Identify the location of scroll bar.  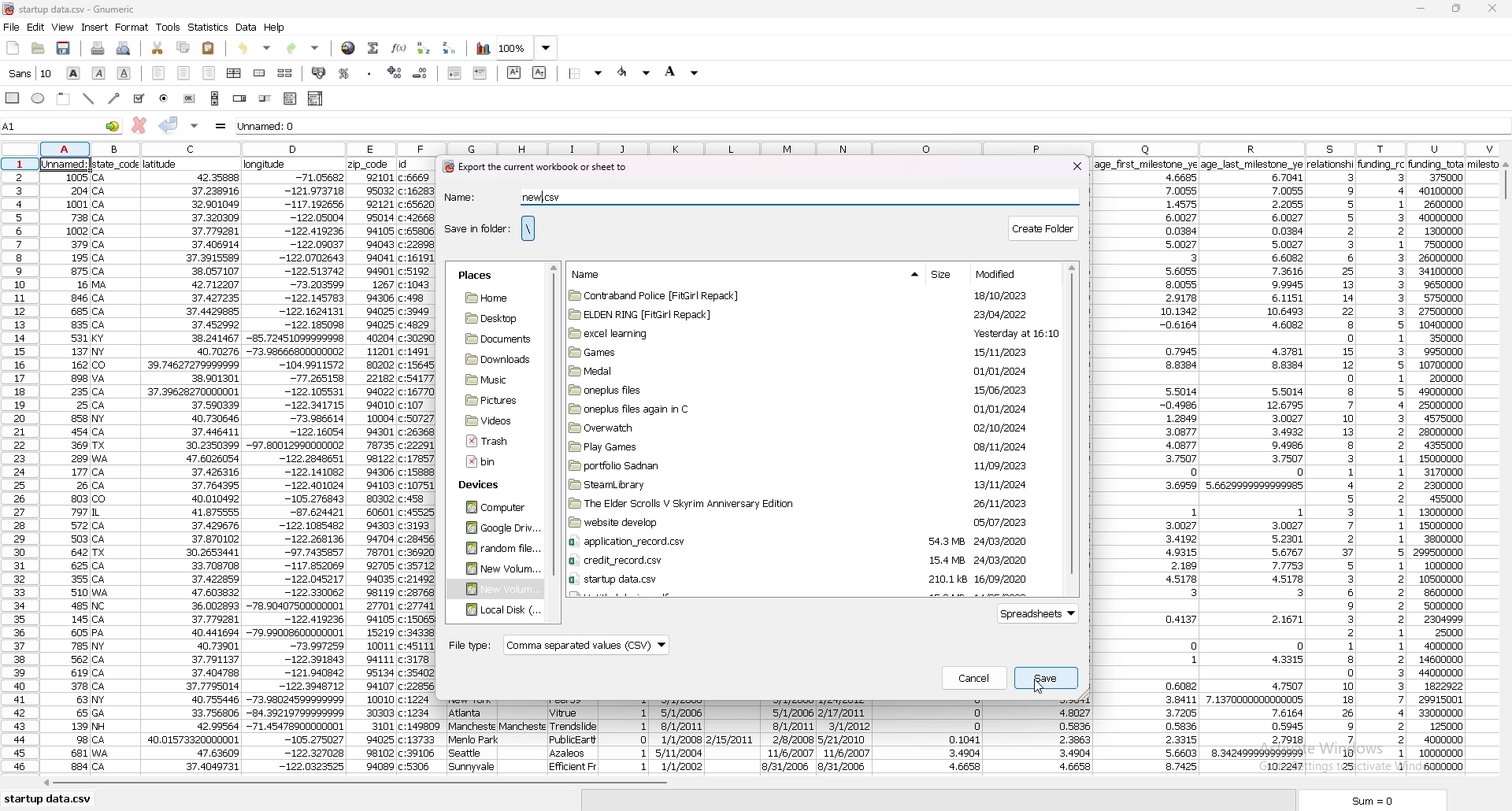
(1504, 472).